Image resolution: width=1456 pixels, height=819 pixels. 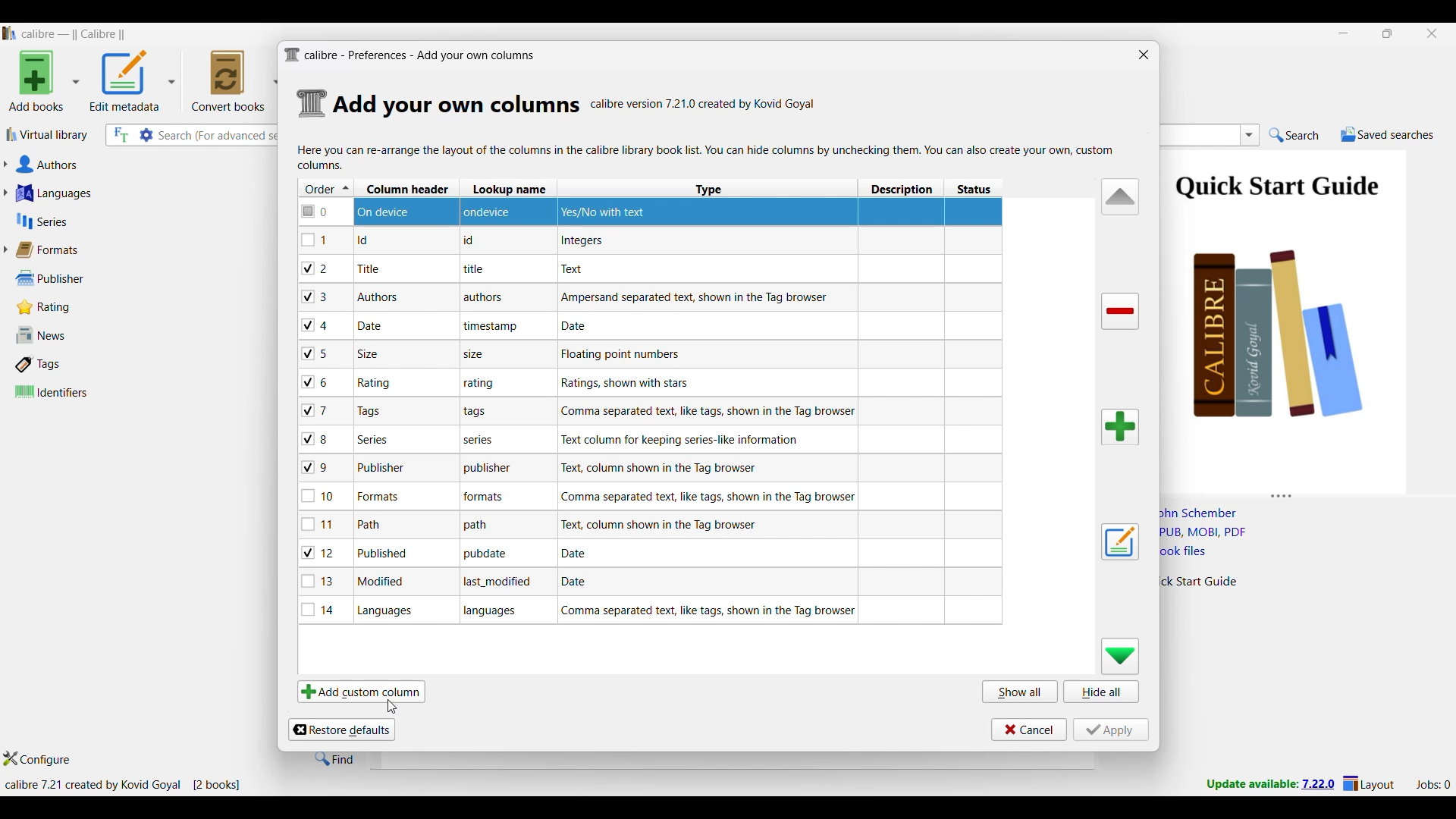 I want to click on Search, so click(x=1294, y=136).